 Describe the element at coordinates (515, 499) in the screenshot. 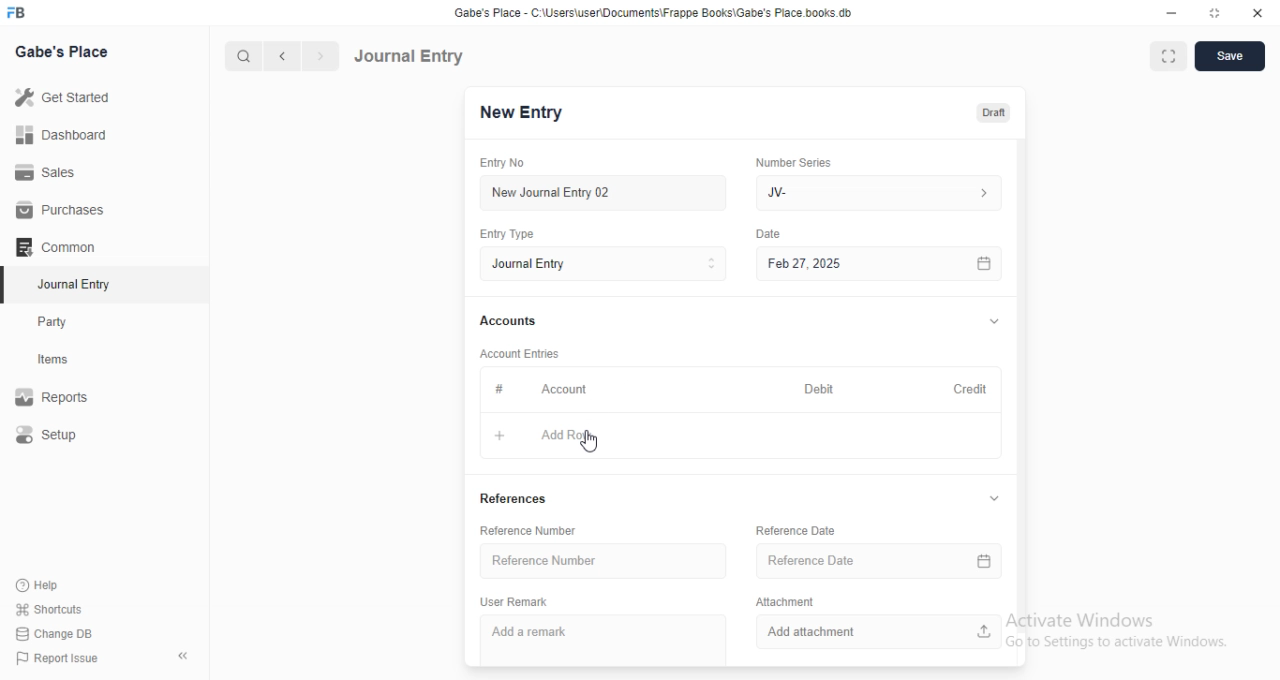

I see `References` at that location.